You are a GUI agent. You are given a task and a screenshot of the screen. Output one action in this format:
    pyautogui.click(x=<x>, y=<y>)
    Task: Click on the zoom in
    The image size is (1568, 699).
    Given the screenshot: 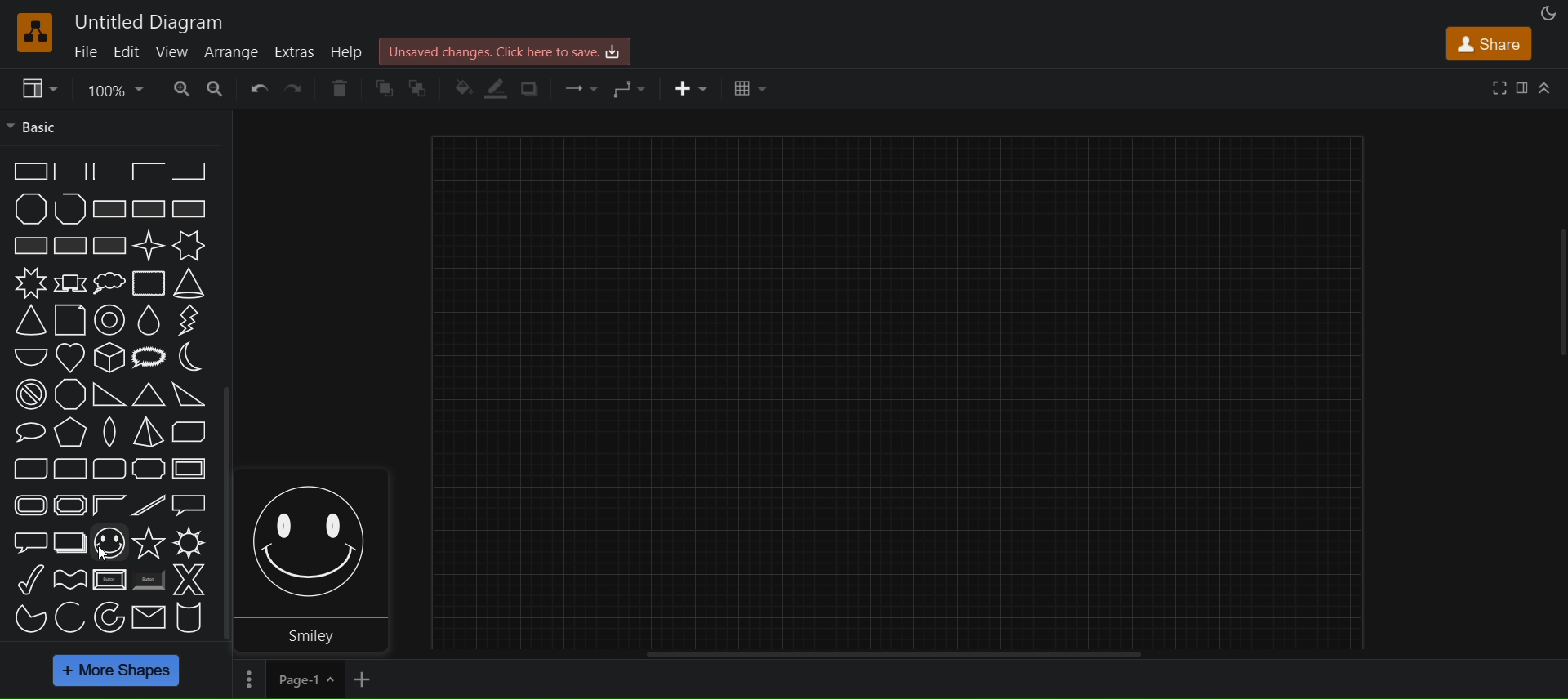 What is the action you would take?
    pyautogui.click(x=216, y=86)
    